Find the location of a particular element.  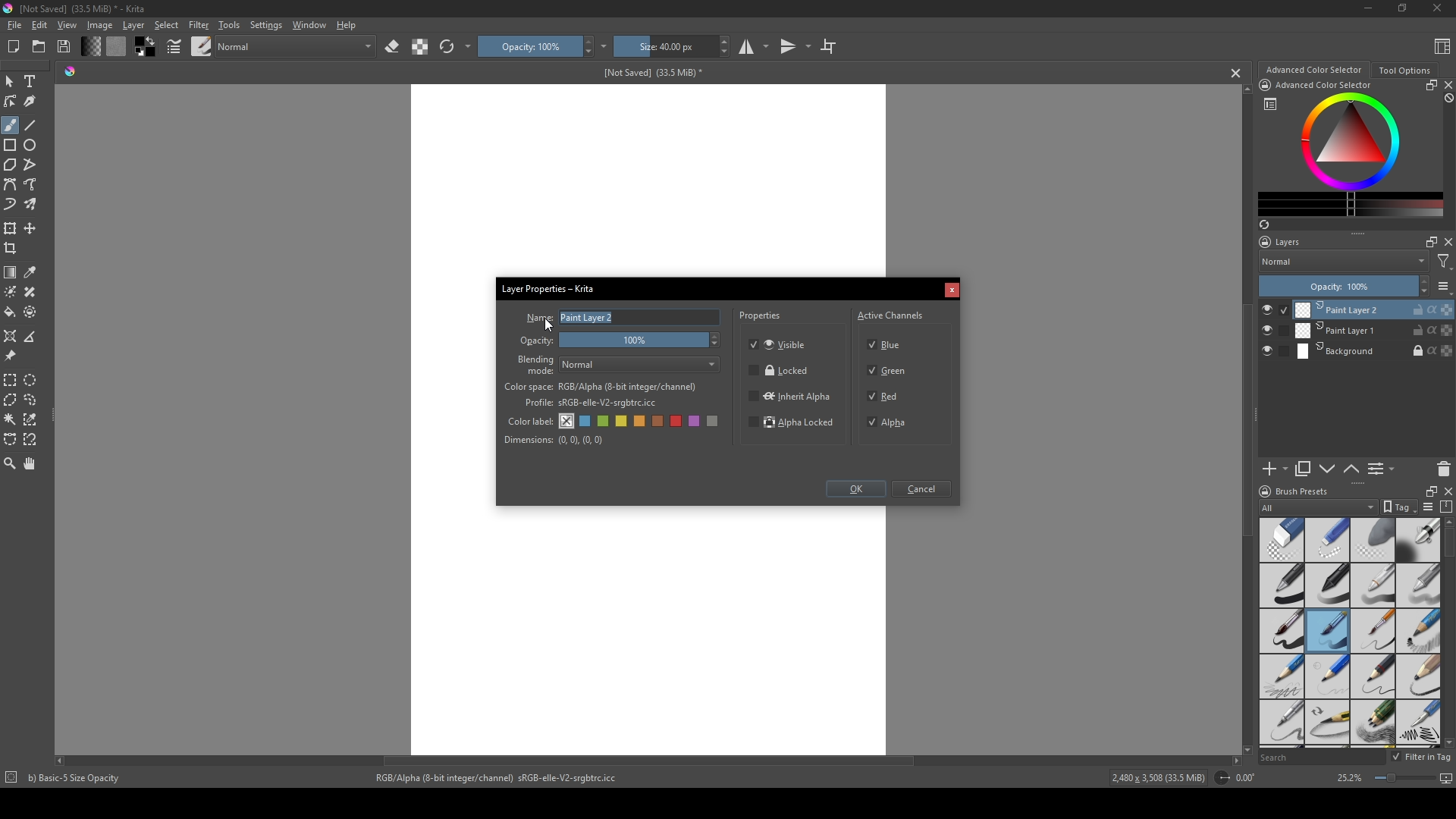

Dimensions (0,0),(0,0) is located at coordinates (554, 440).